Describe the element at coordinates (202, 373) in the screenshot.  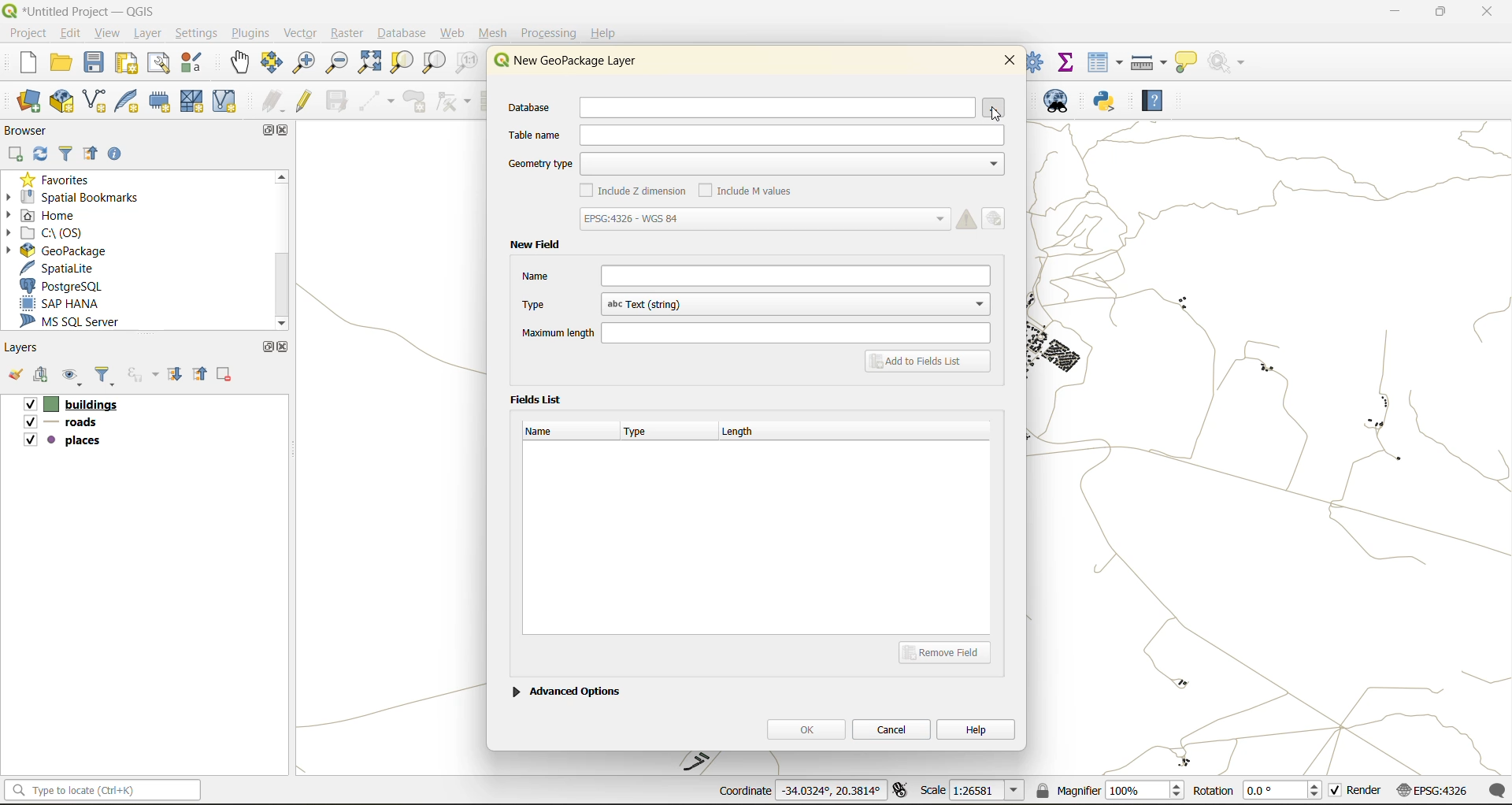
I see `collapse all` at that location.